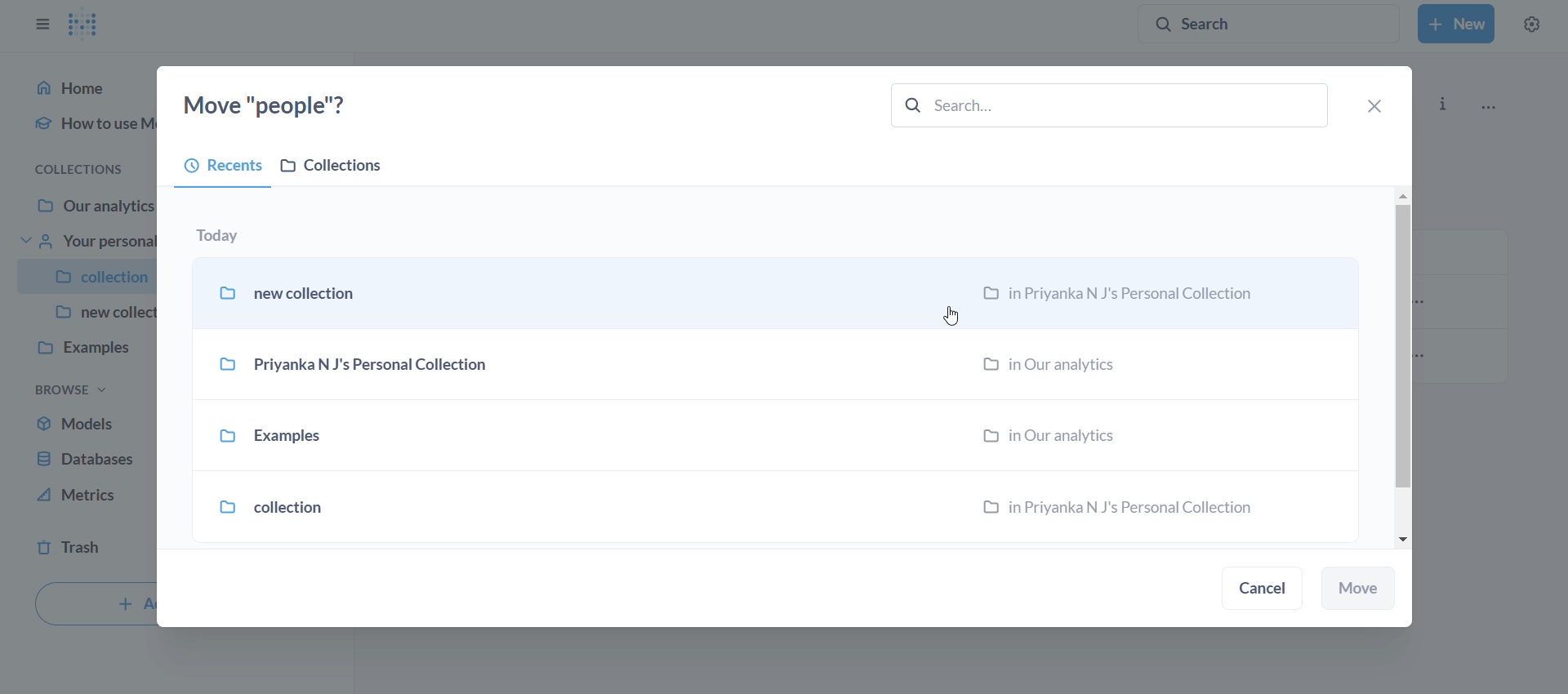  What do you see at coordinates (97, 312) in the screenshot?
I see `new collec` at bounding box center [97, 312].